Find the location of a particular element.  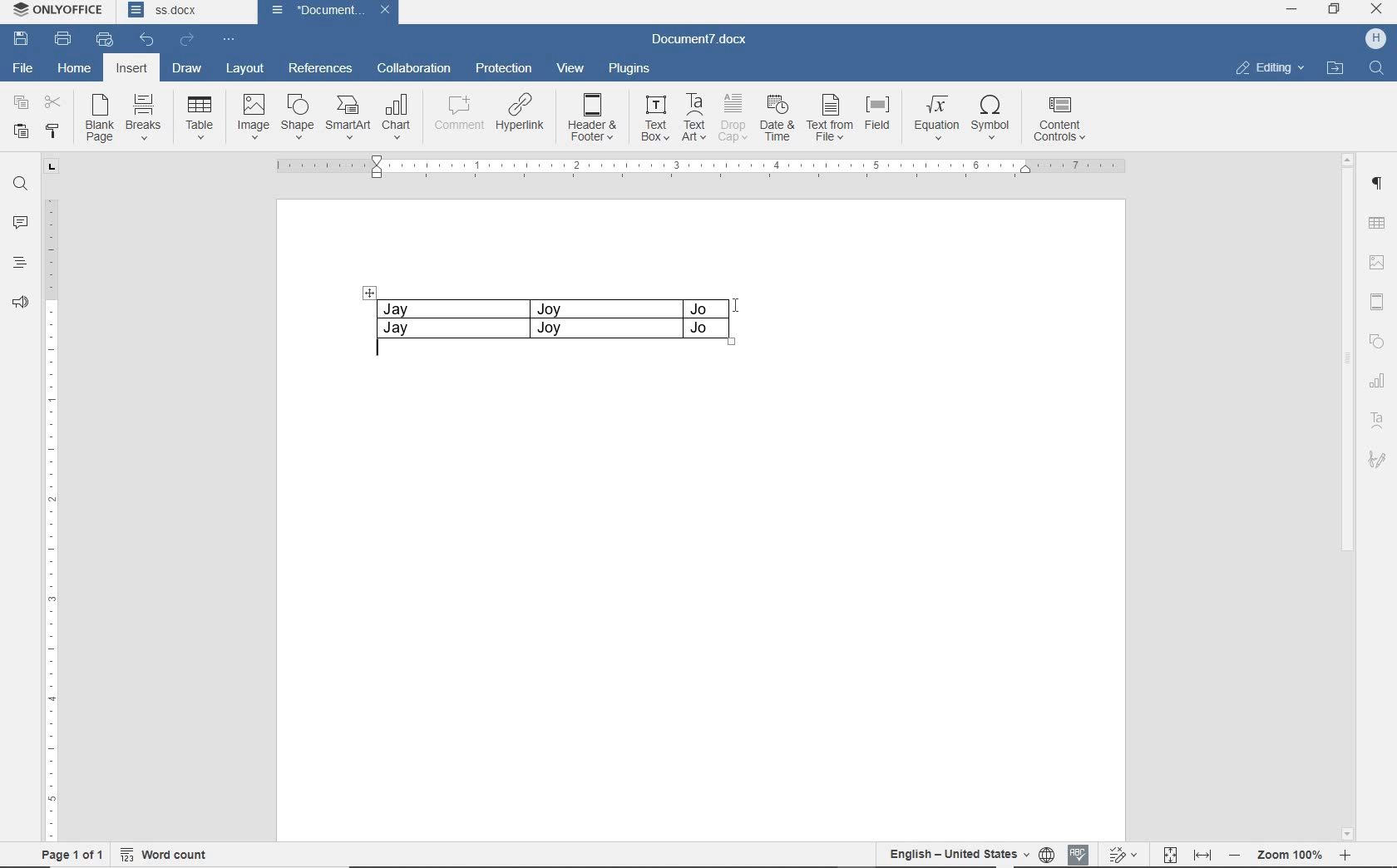

TABLE is located at coordinates (514, 321).